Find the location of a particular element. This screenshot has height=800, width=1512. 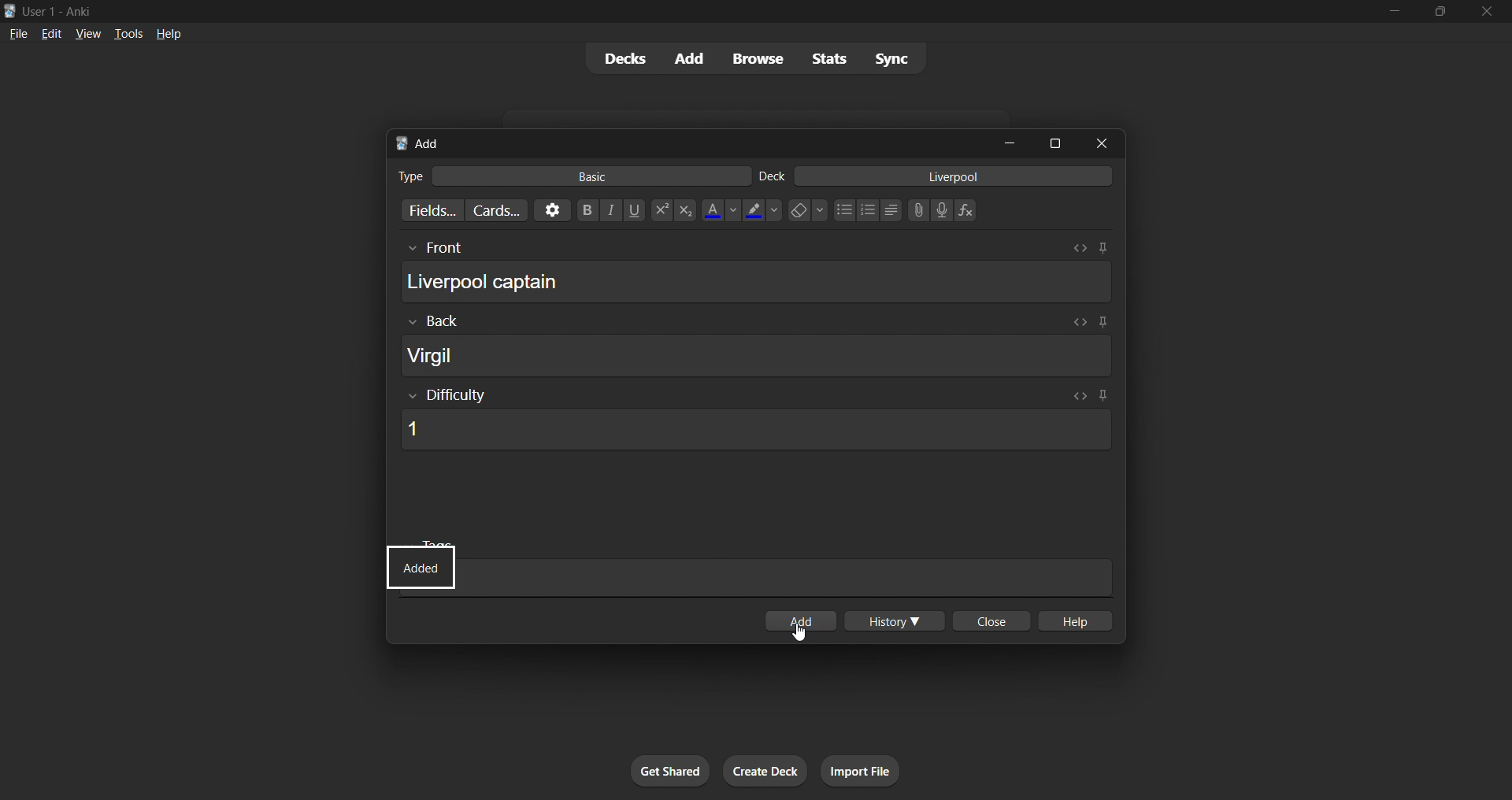

decks is located at coordinates (623, 59).